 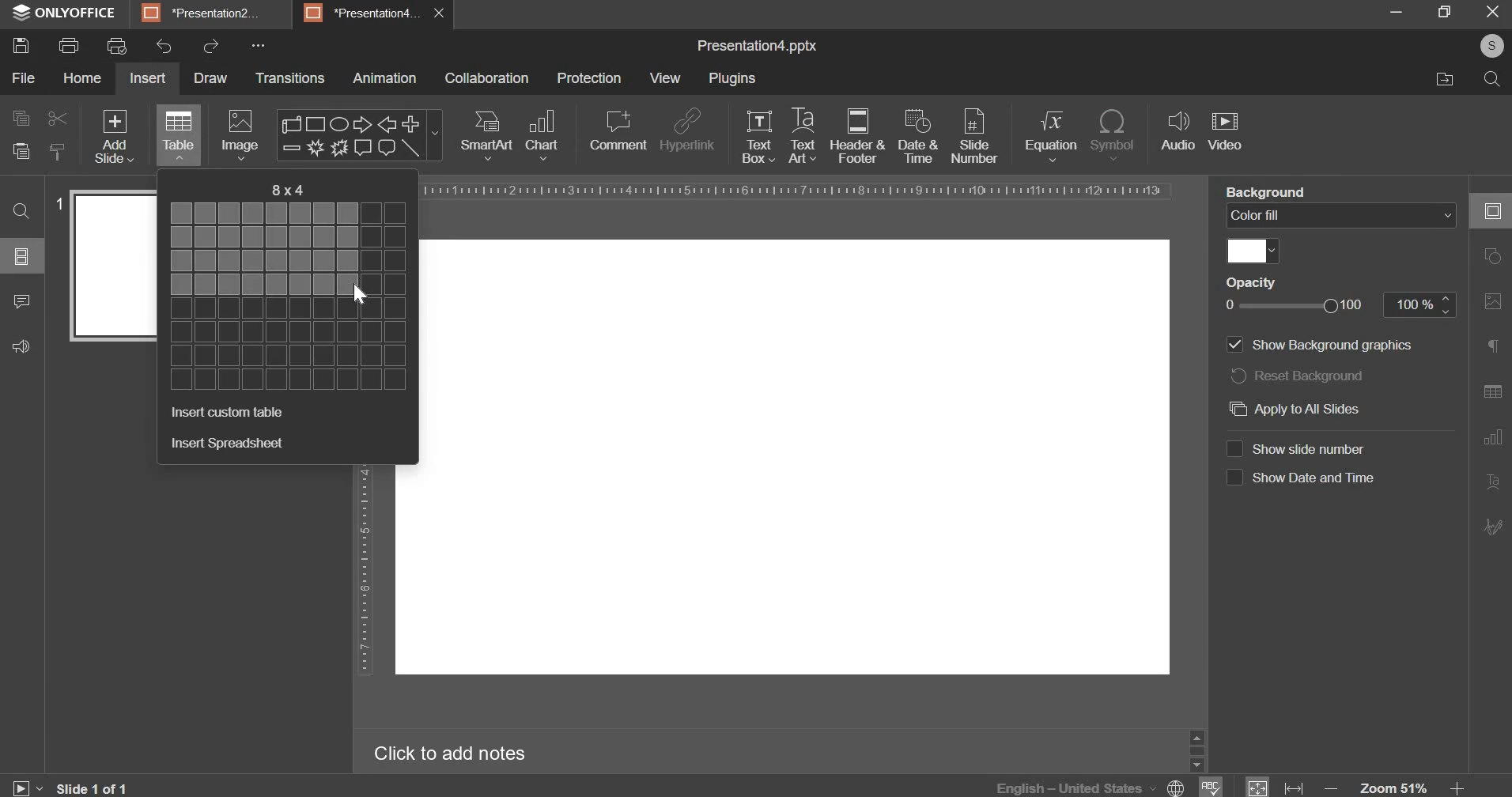 What do you see at coordinates (1249, 282) in the screenshot?
I see `Opacity` at bounding box center [1249, 282].